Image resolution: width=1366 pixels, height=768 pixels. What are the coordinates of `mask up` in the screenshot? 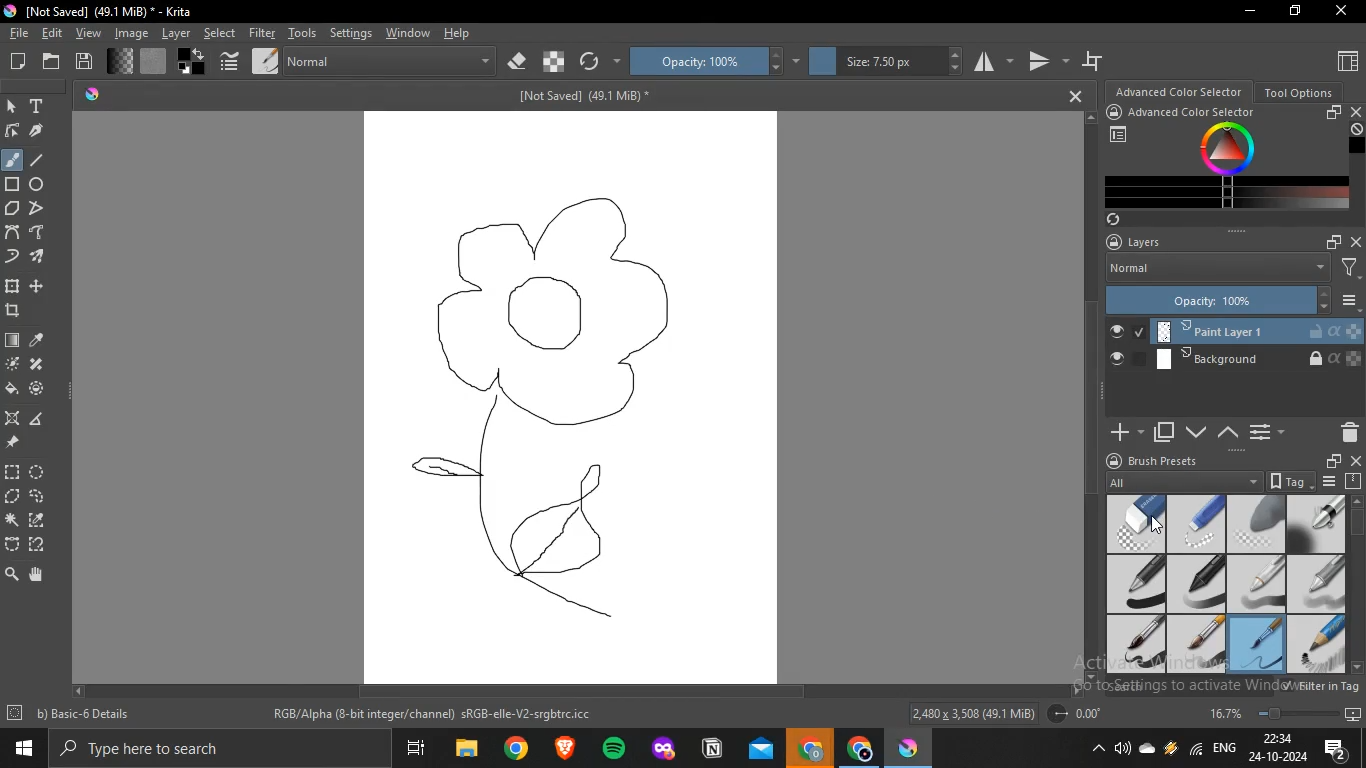 It's located at (1229, 433).